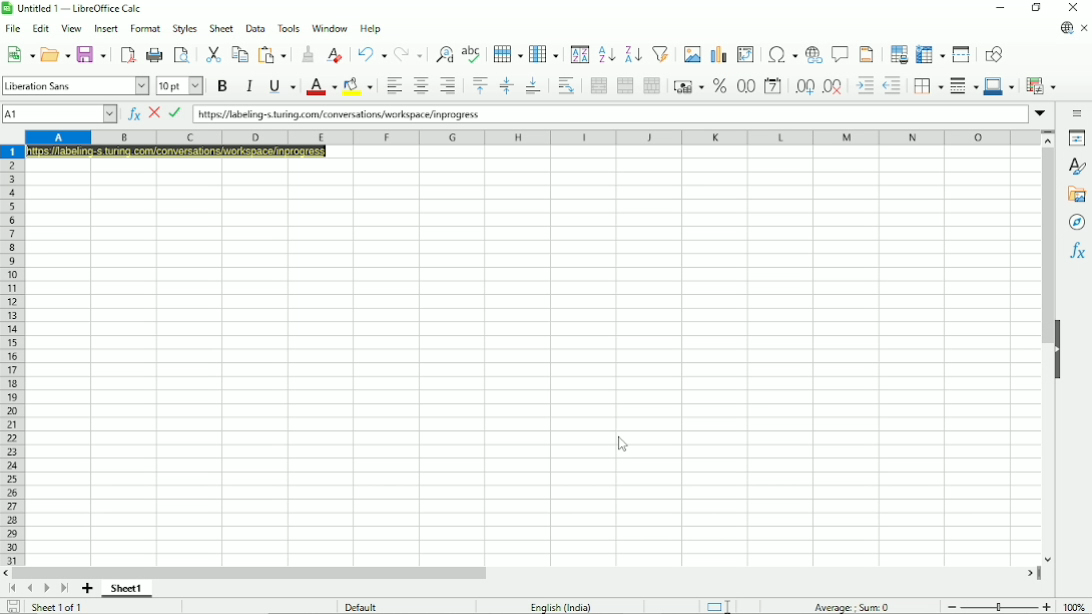 This screenshot has height=614, width=1092. I want to click on Align right, so click(450, 85).